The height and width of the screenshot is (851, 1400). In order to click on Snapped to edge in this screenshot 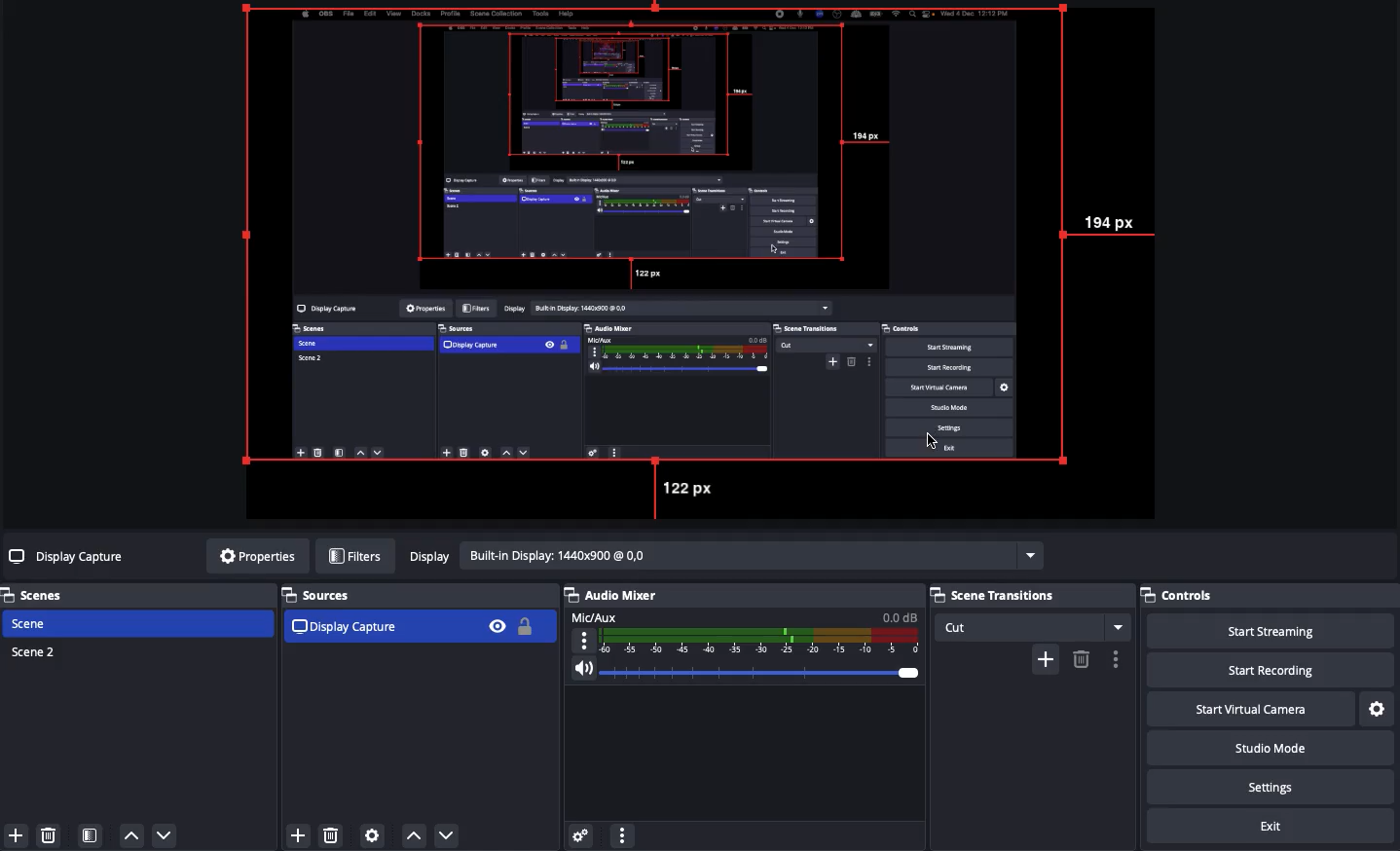, I will do `click(660, 239)`.